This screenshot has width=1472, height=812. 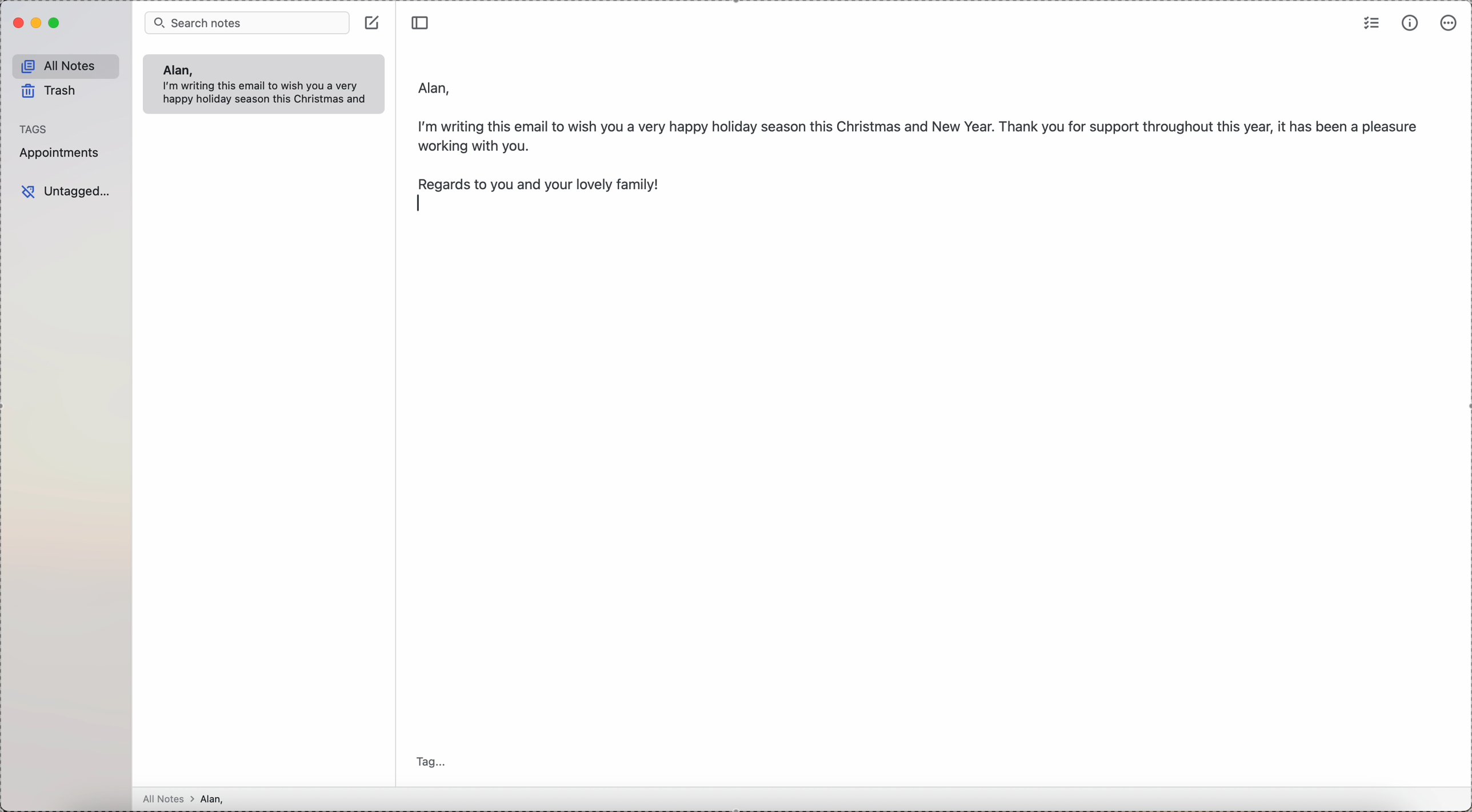 What do you see at coordinates (547, 183) in the screenshot?
I see `regards` at bounding box center [547, 183].